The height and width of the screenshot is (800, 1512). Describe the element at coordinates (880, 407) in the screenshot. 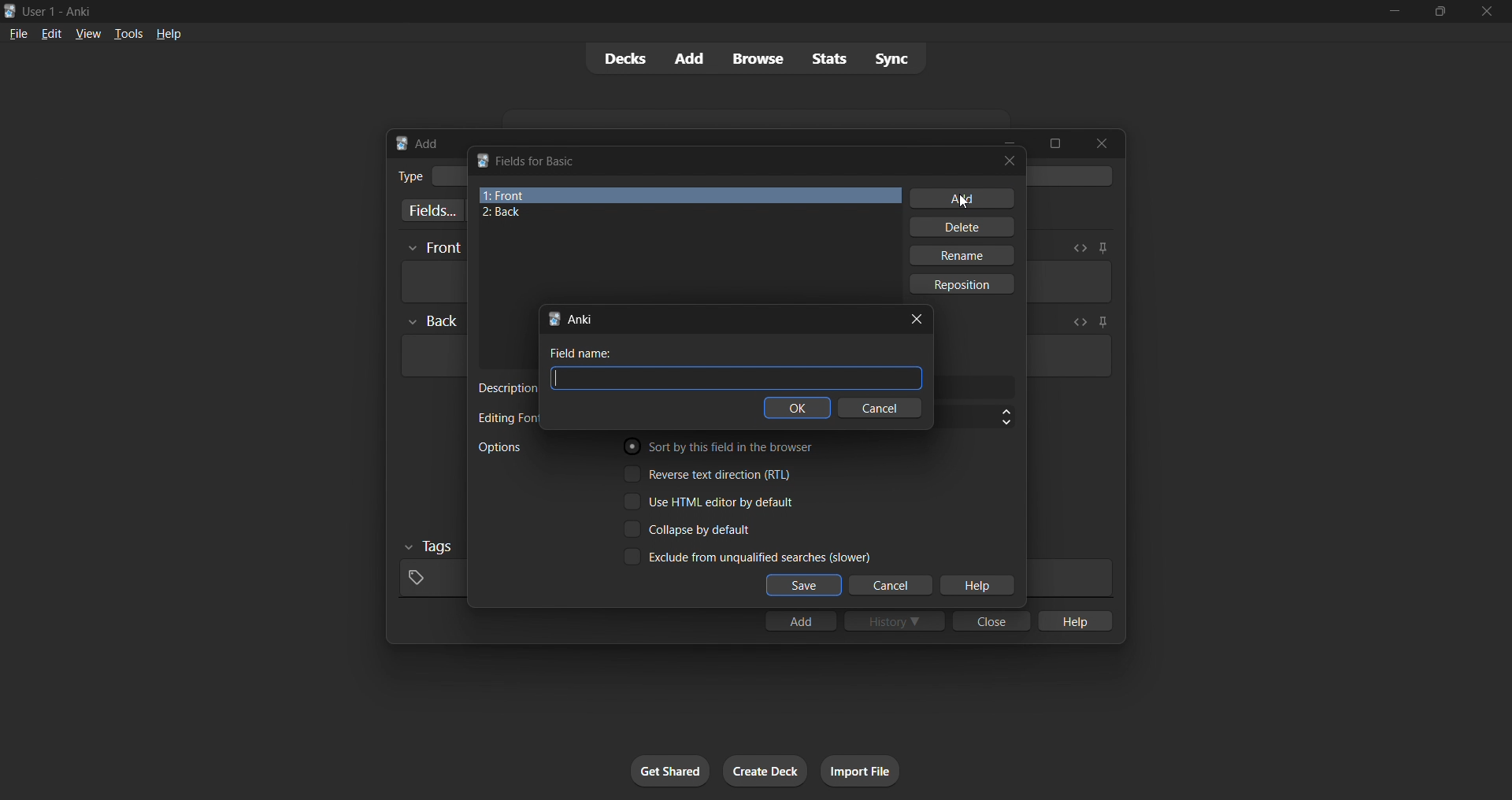

I see `cancel` at that location.